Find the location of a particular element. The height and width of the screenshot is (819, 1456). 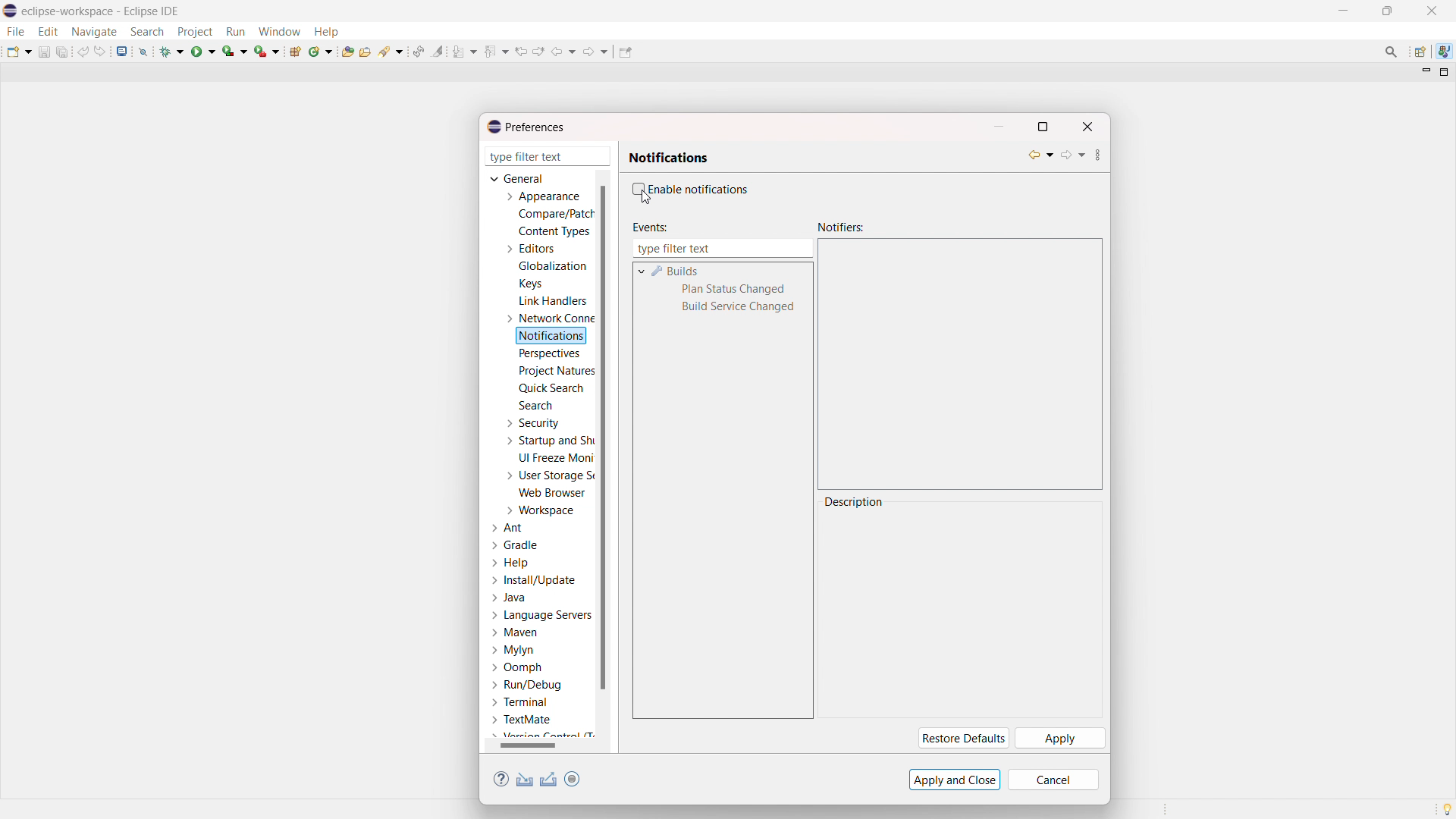

run/debug is located at coordinates (526, 684).